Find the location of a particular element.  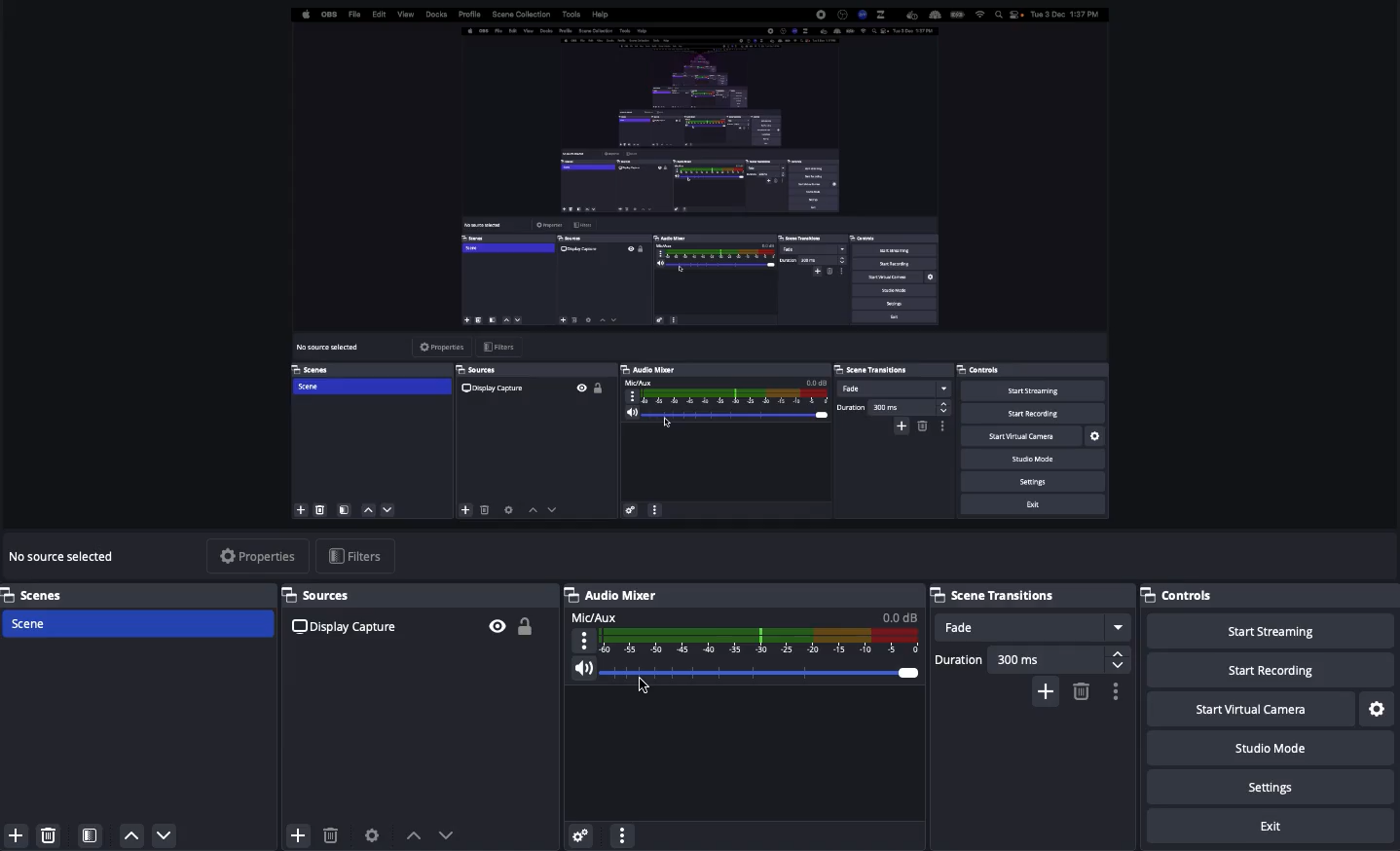

Filters is located at coordinates (355, 556).